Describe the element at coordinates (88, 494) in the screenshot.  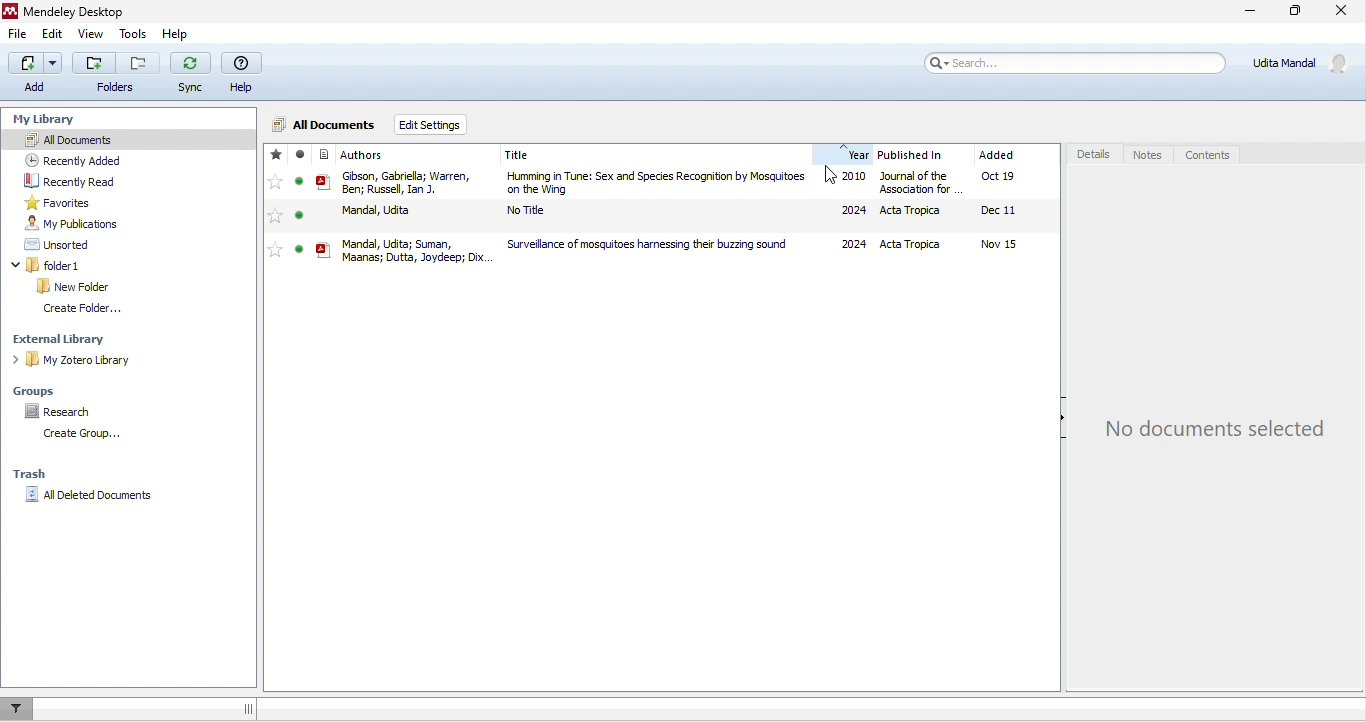
I see `all deleted` at that location.